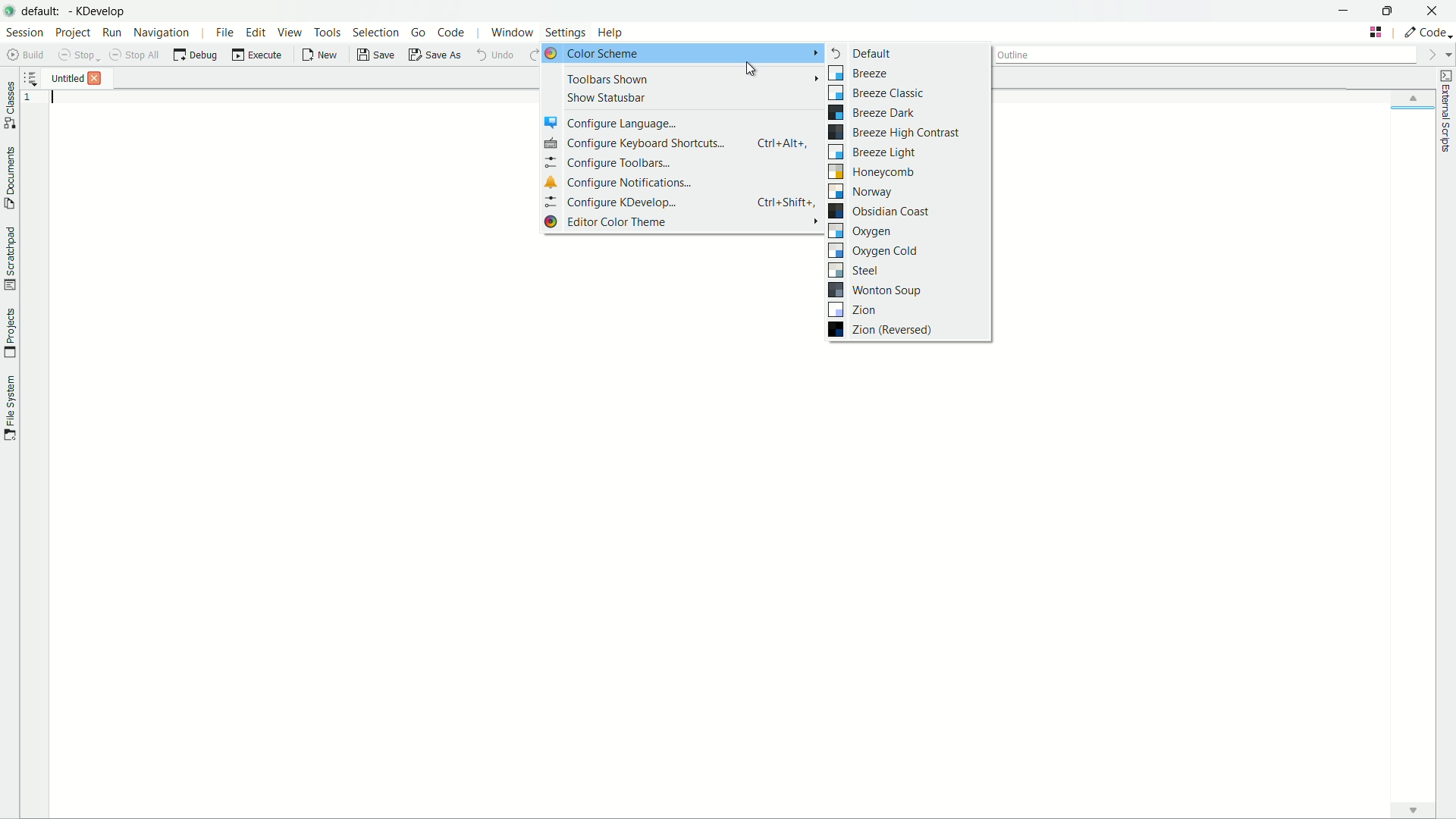  What do you see at coordinates (452, 33) in the screenshot?
I see `code` at bounding box center [452, 33].